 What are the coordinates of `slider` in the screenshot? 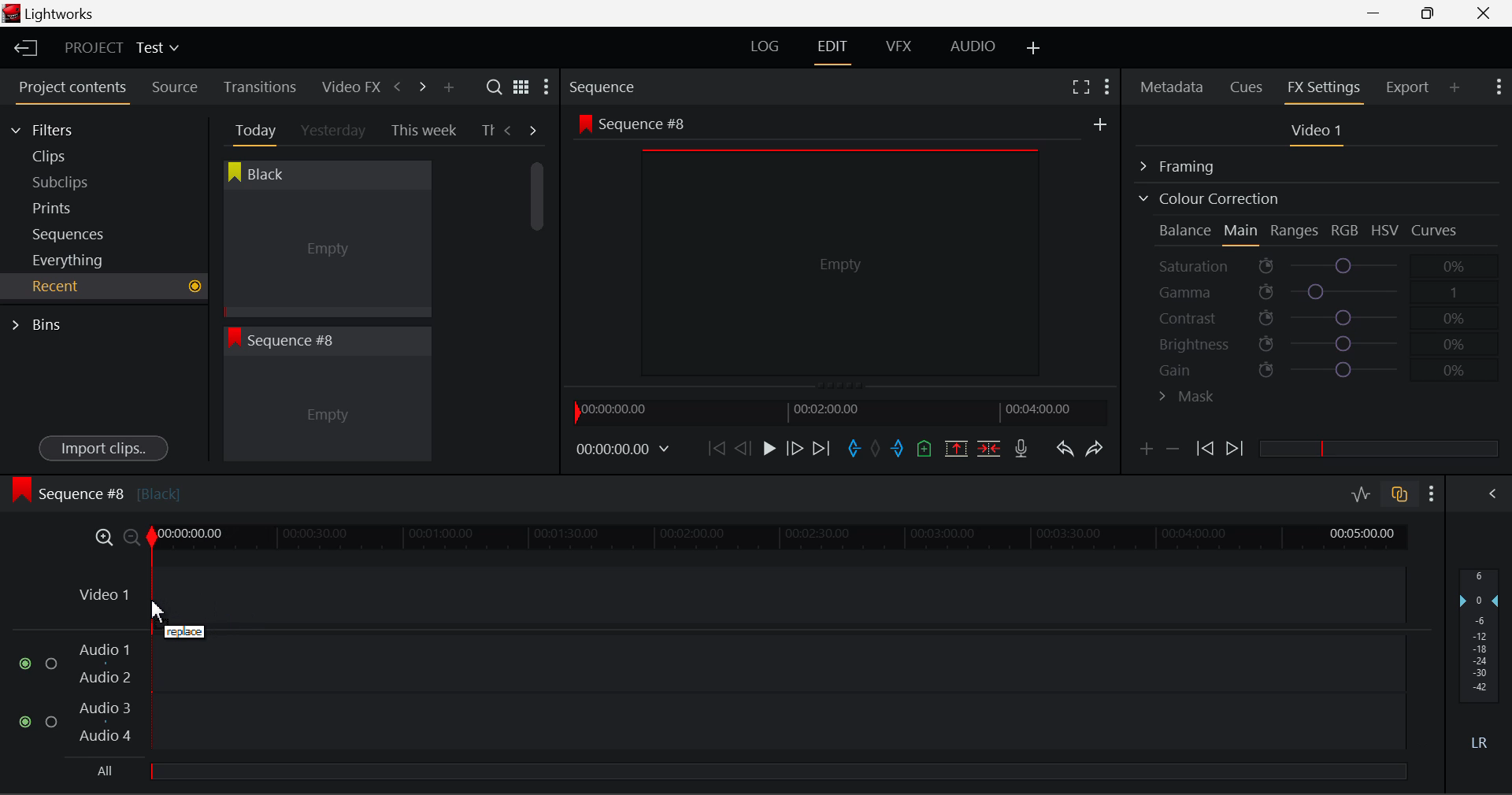 It's located at (1378, 448).